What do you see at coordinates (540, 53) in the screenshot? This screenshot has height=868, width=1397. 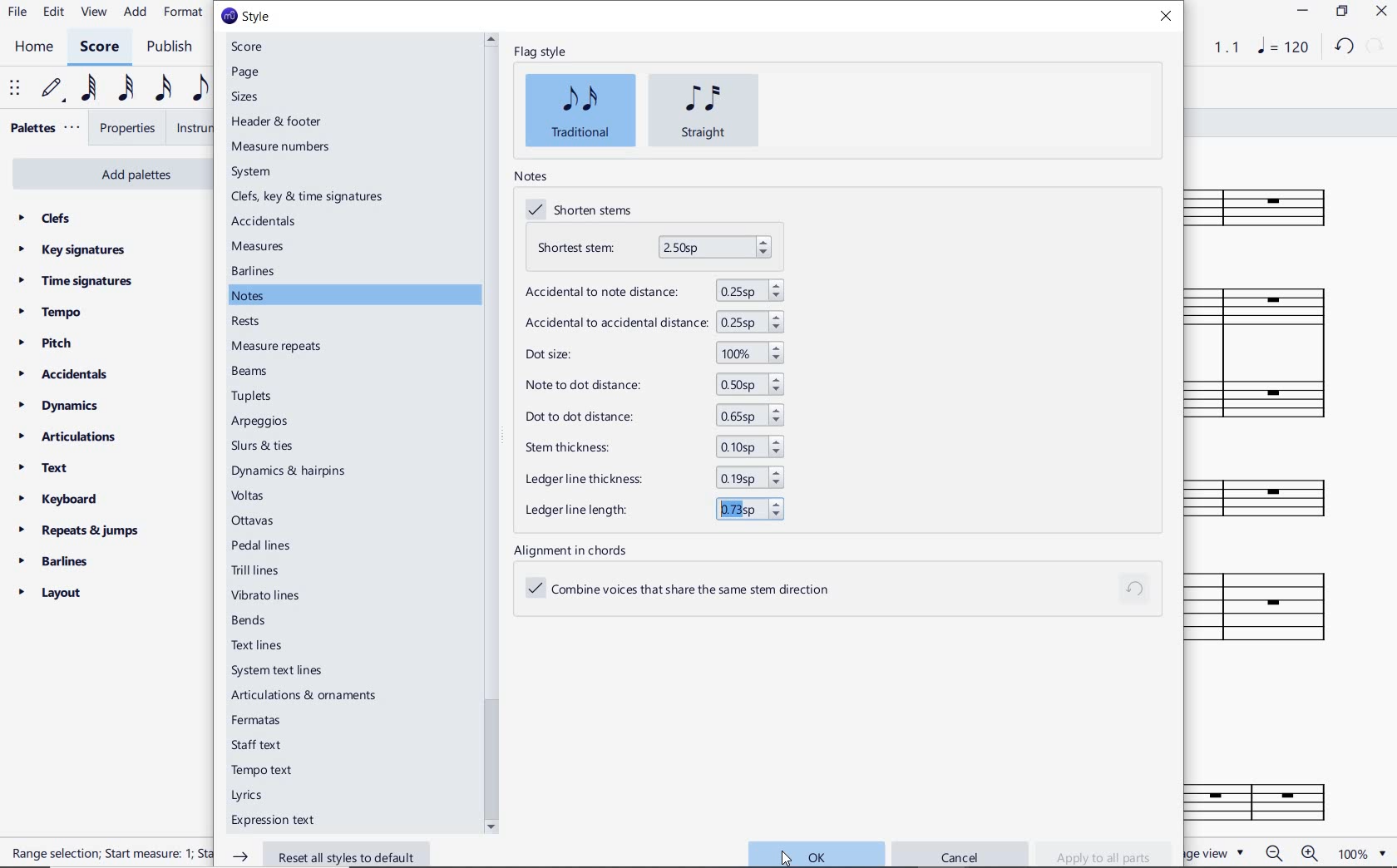 I see `flag style` at bounding box center [540, 53].